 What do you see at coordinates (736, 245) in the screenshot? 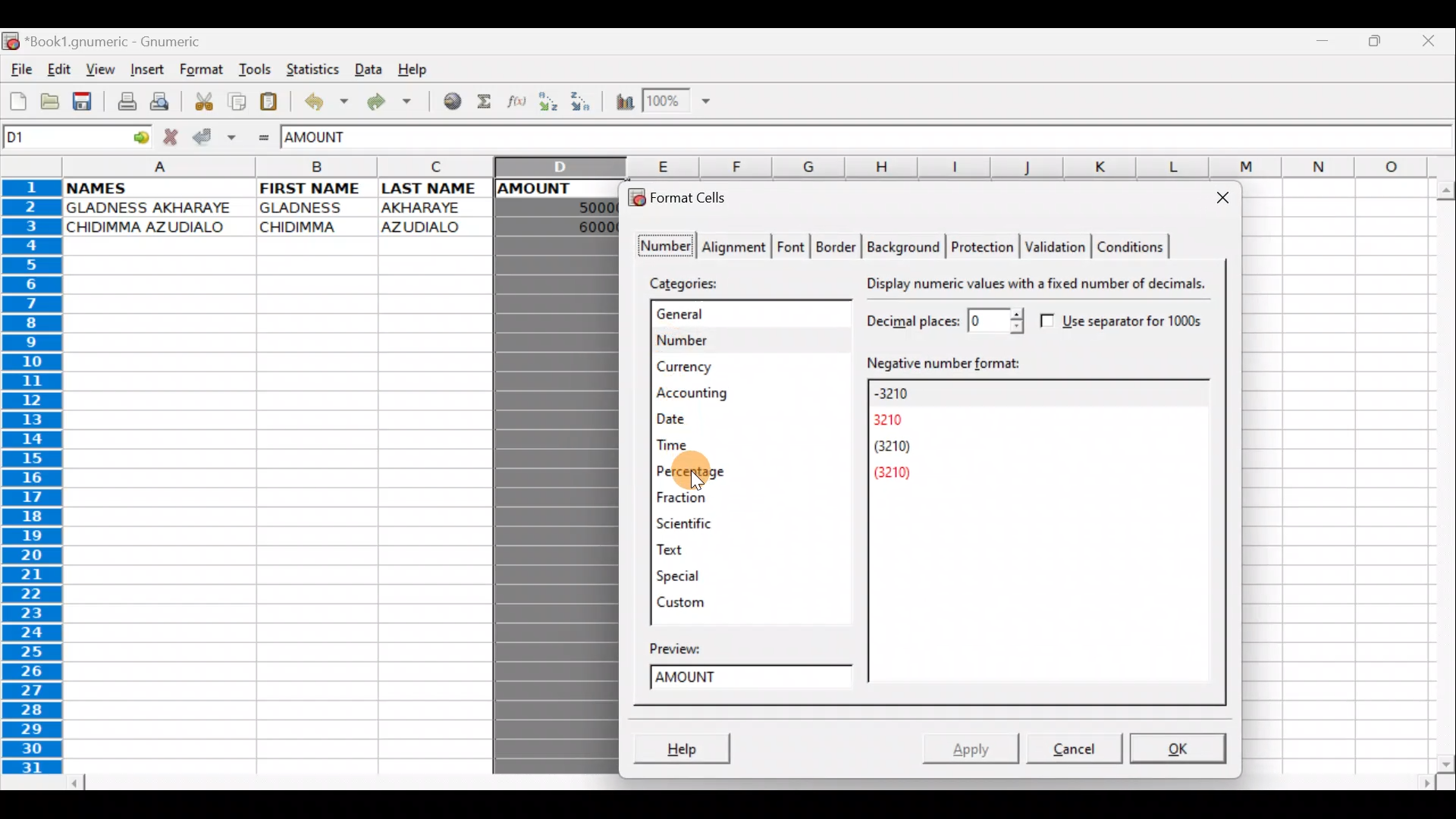
I see `Alignment` at bounding box center [736, 245].